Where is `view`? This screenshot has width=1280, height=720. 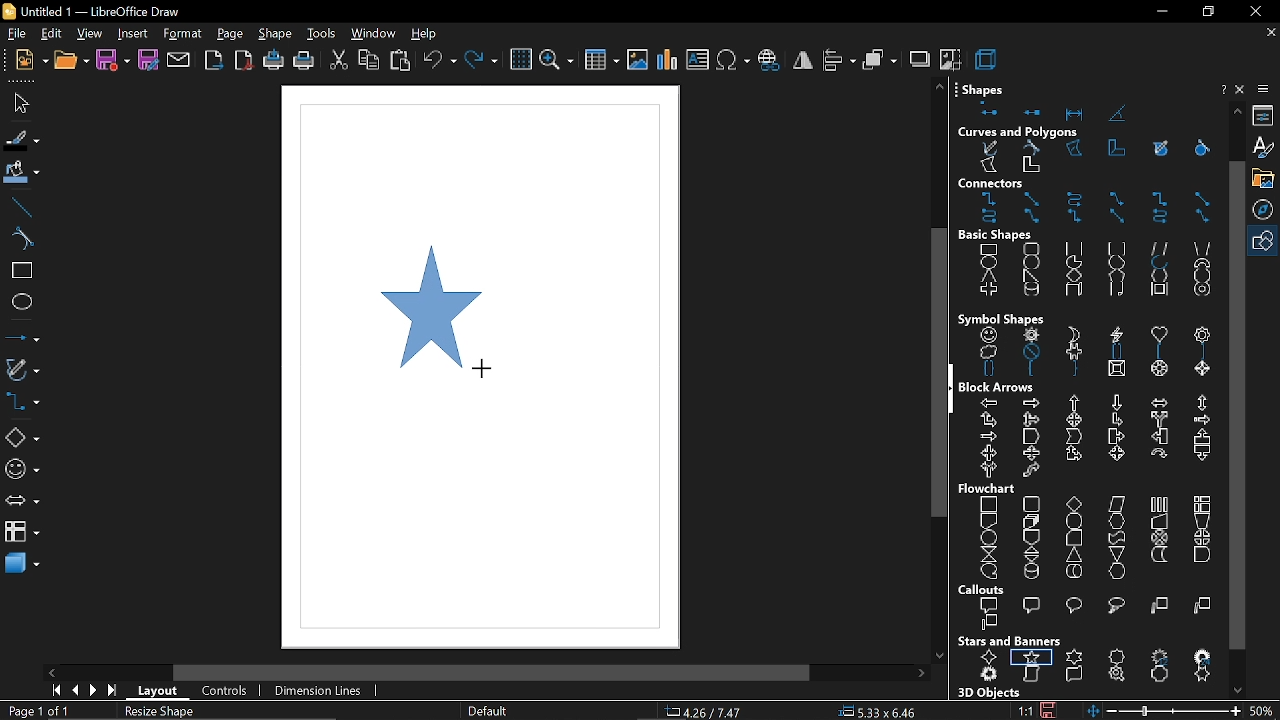
view is located at coordinates (87, 34).